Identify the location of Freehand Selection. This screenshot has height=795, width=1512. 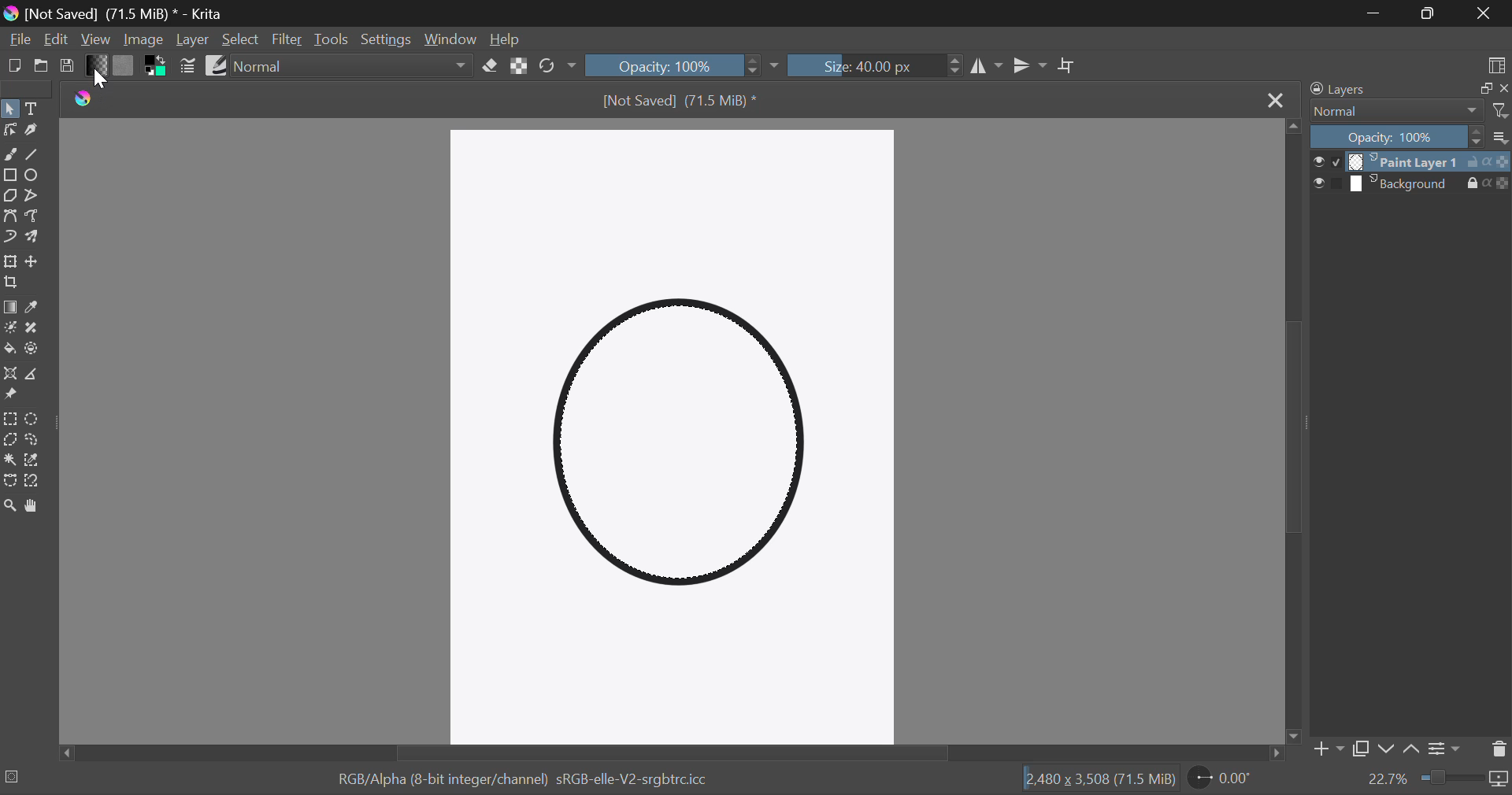
(36, 438).